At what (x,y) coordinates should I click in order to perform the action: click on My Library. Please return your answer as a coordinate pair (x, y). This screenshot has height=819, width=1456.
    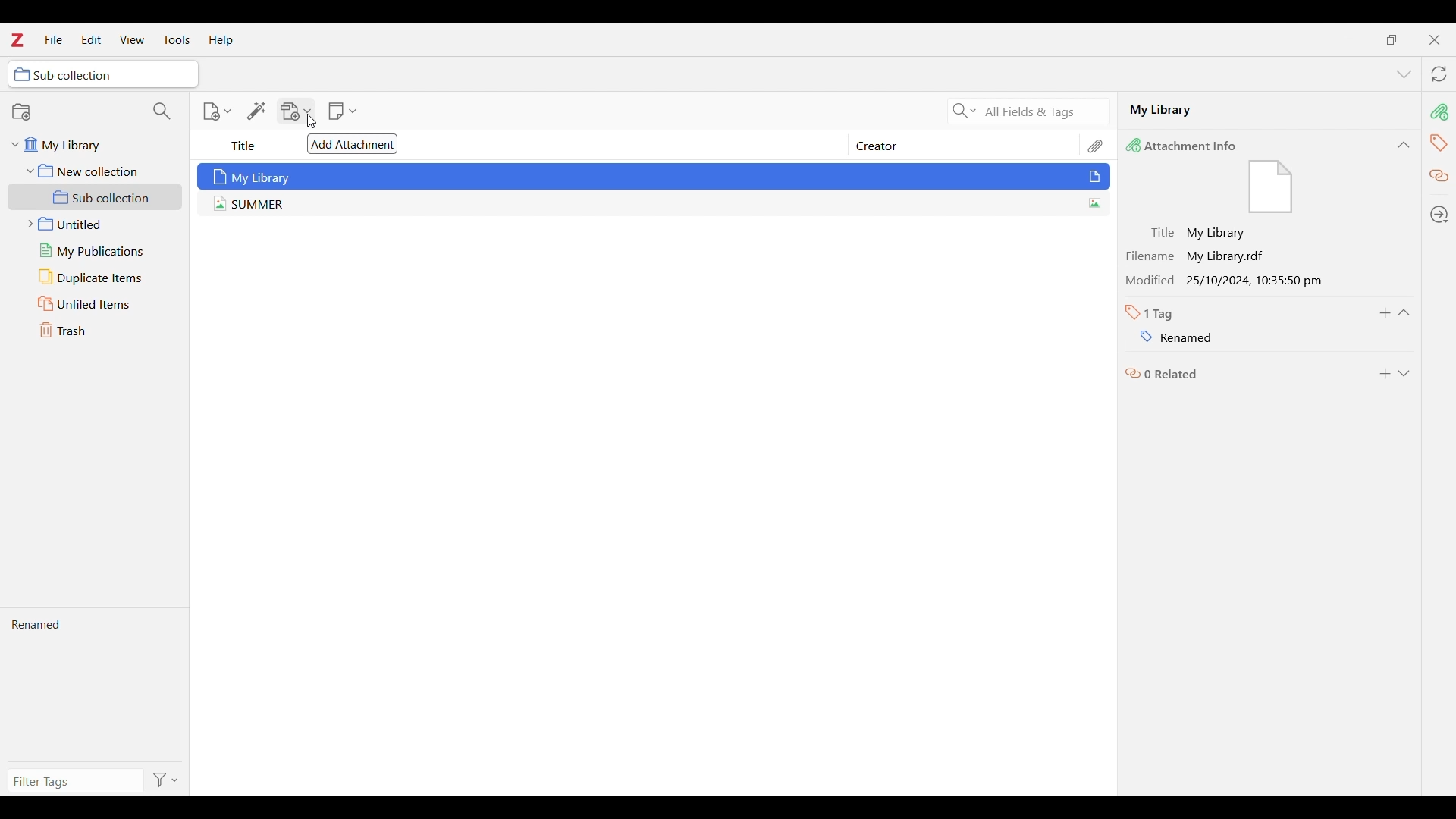
    Looking at the image, I should click on (1266, 112).